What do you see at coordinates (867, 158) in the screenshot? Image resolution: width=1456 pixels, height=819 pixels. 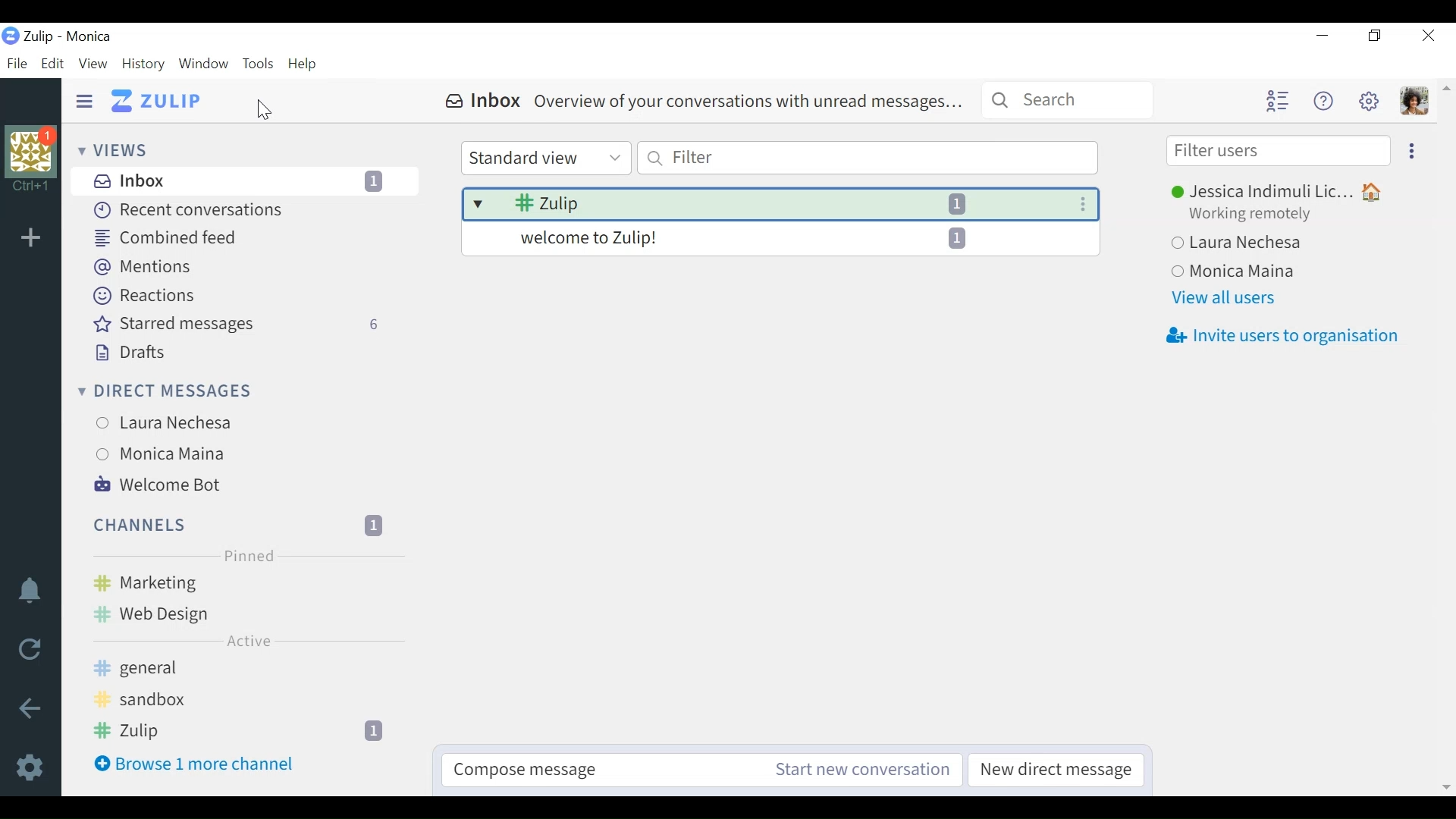 I see `Filter` at bounding box center [867, 158].